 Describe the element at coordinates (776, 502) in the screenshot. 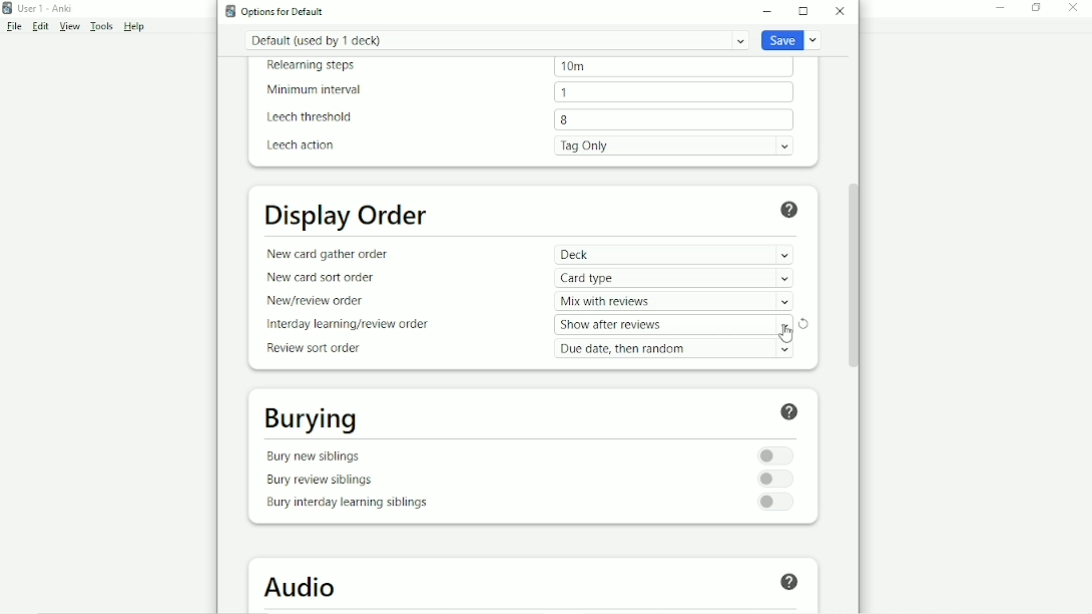

I see `Toggle for bury interday learning siblings` at that location.